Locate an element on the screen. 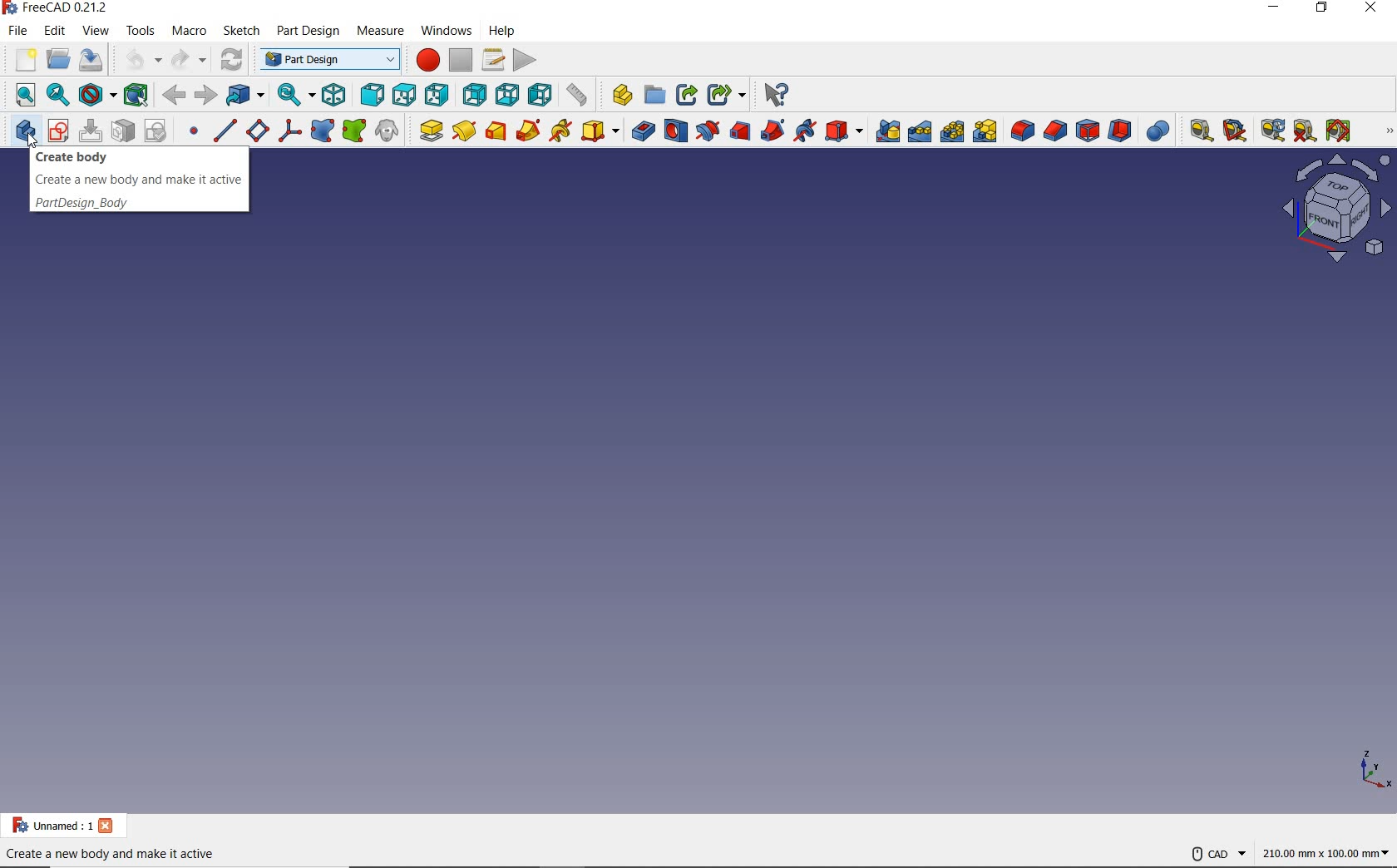  RESTORE DOWN is located at coordinates (1322, 11).